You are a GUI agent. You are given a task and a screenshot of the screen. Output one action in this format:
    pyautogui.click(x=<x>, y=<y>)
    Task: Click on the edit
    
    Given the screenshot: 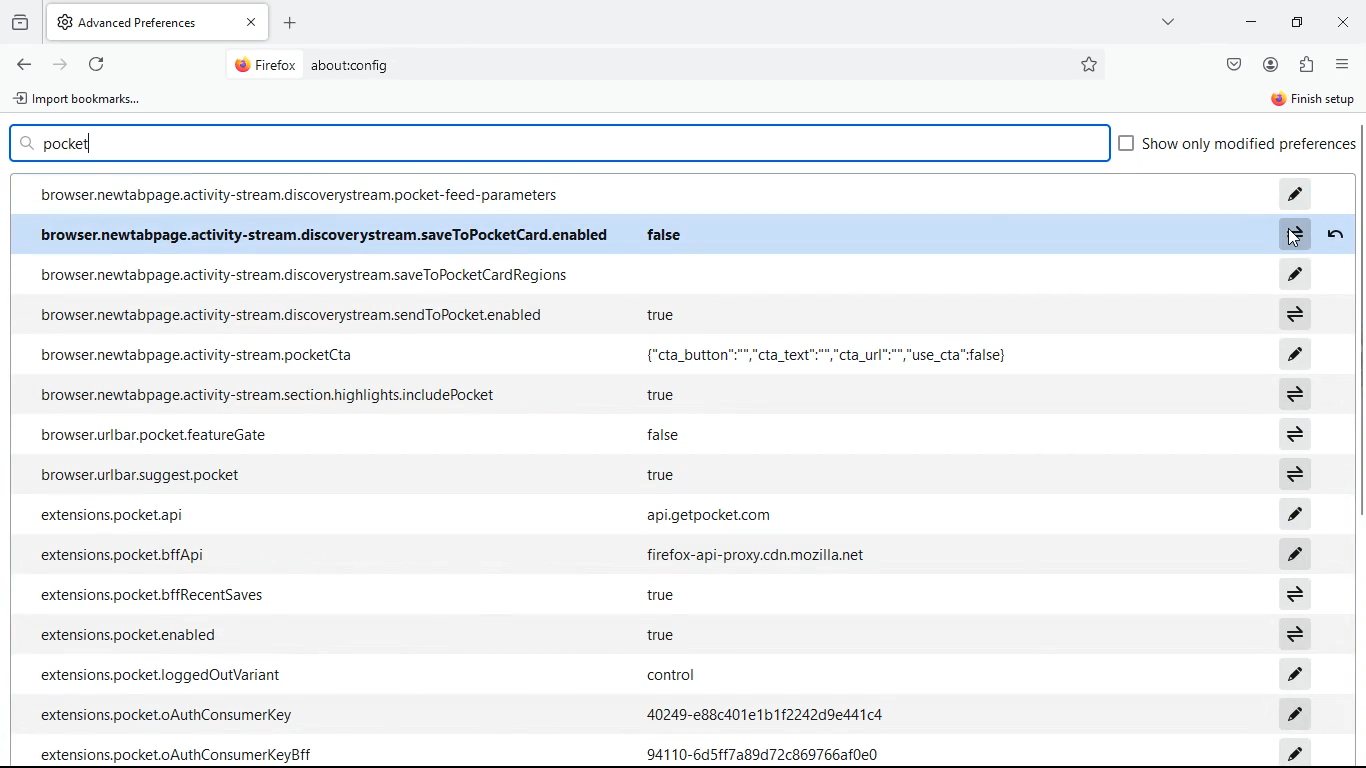 What is the action you would take?
    pyautogui.click(x=1294, y=353)
    